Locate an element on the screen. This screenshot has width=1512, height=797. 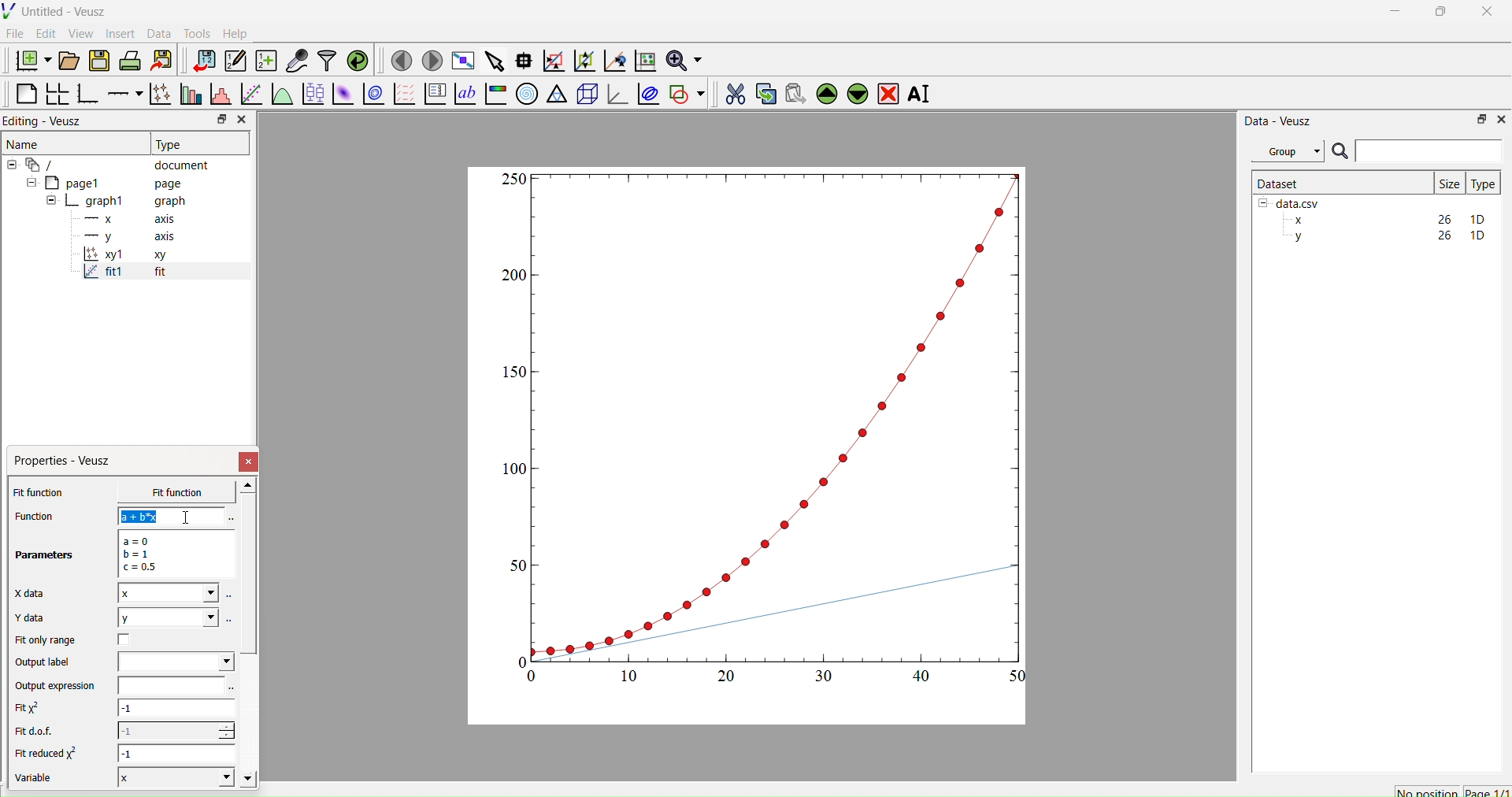
Remove is located at coordinates (888, 92).